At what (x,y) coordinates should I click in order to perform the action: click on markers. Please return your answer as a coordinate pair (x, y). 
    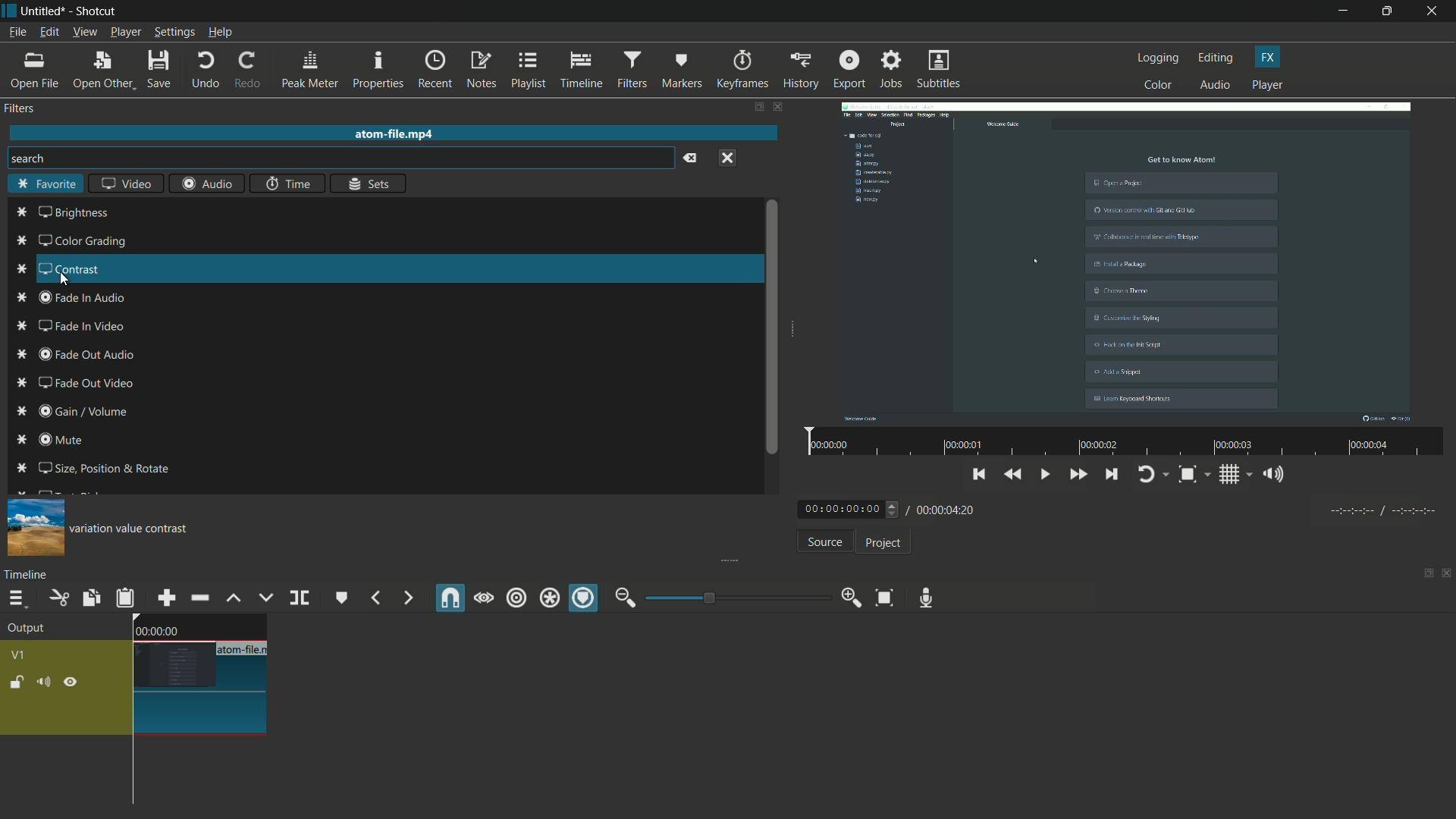
    Looking at the image, I should click on (682, 69).